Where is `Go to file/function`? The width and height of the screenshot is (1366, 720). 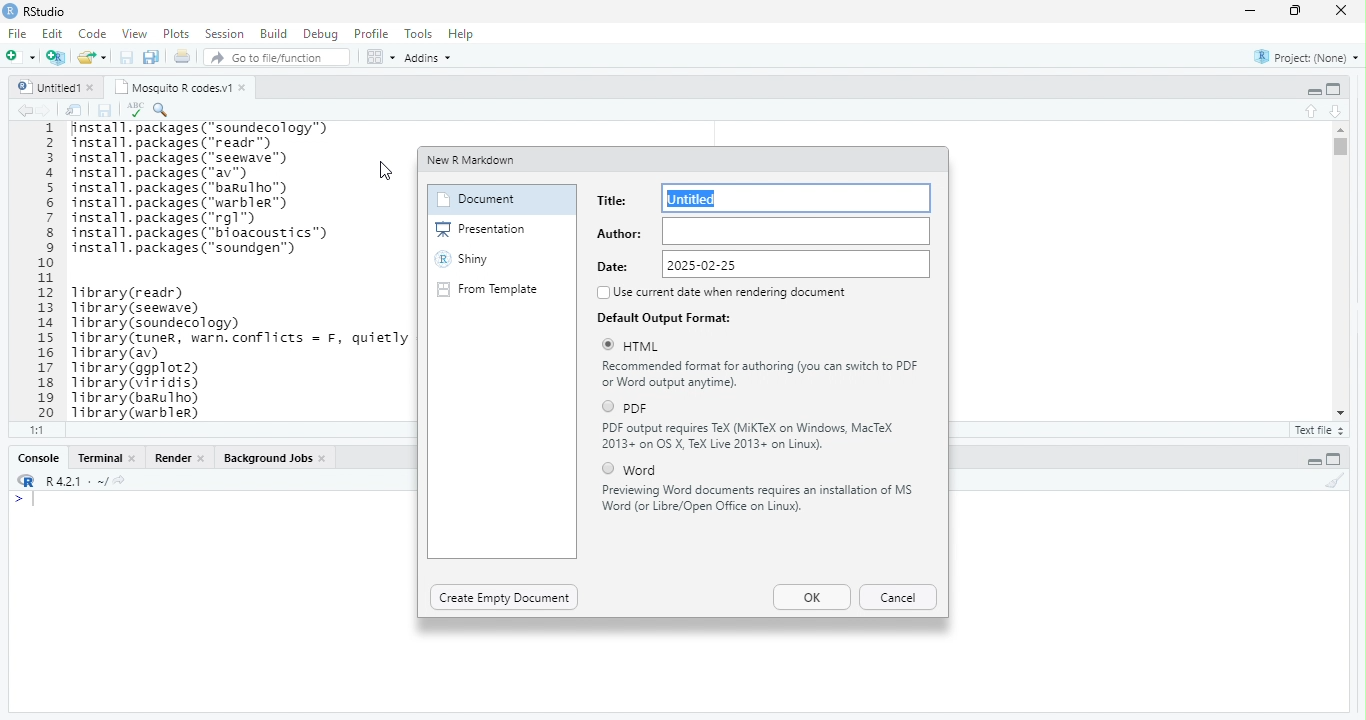 Go to file/function is located at coordinates (278, 57).